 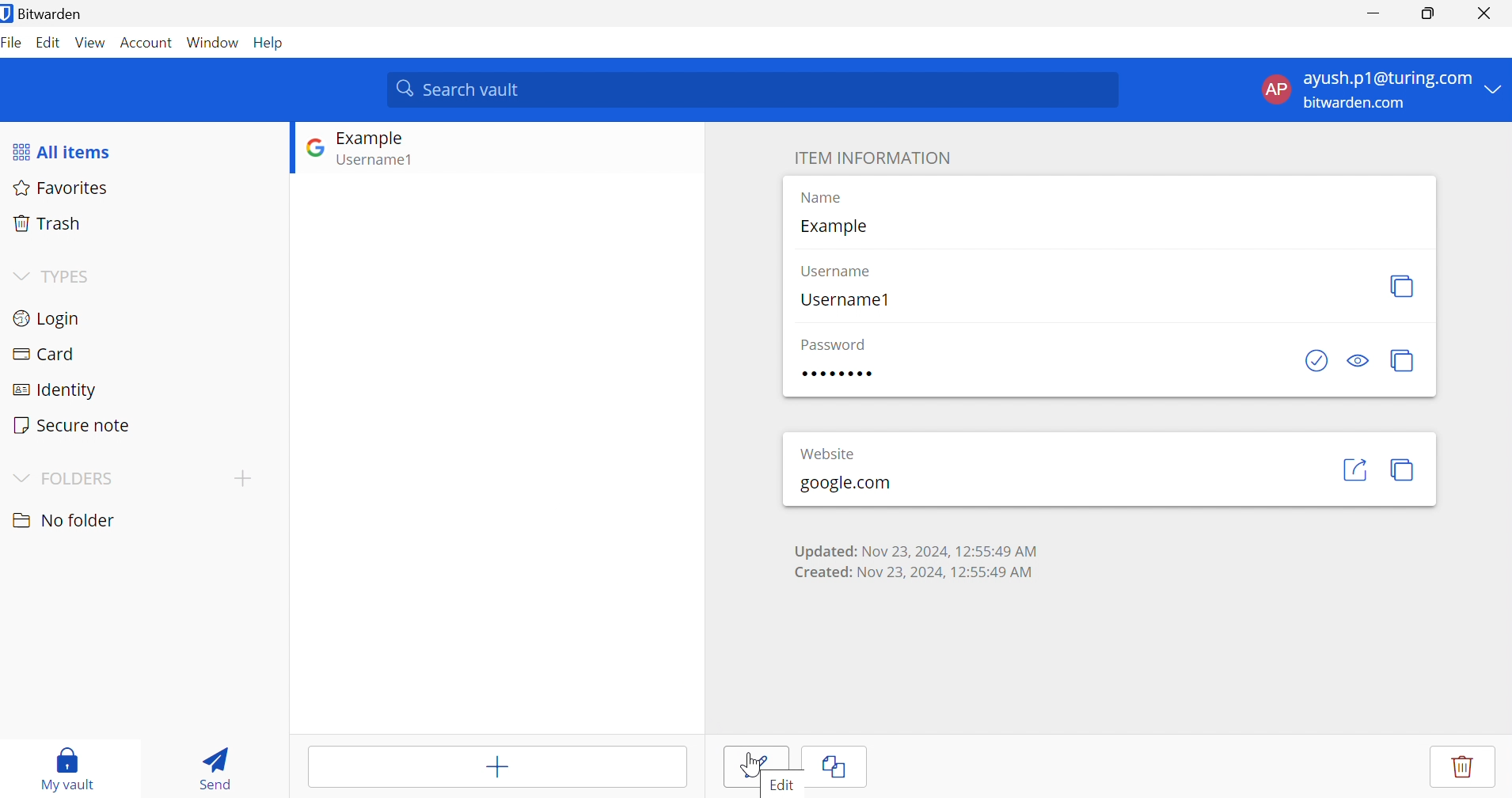 I want to click on Card, so click(x=44, y=352).